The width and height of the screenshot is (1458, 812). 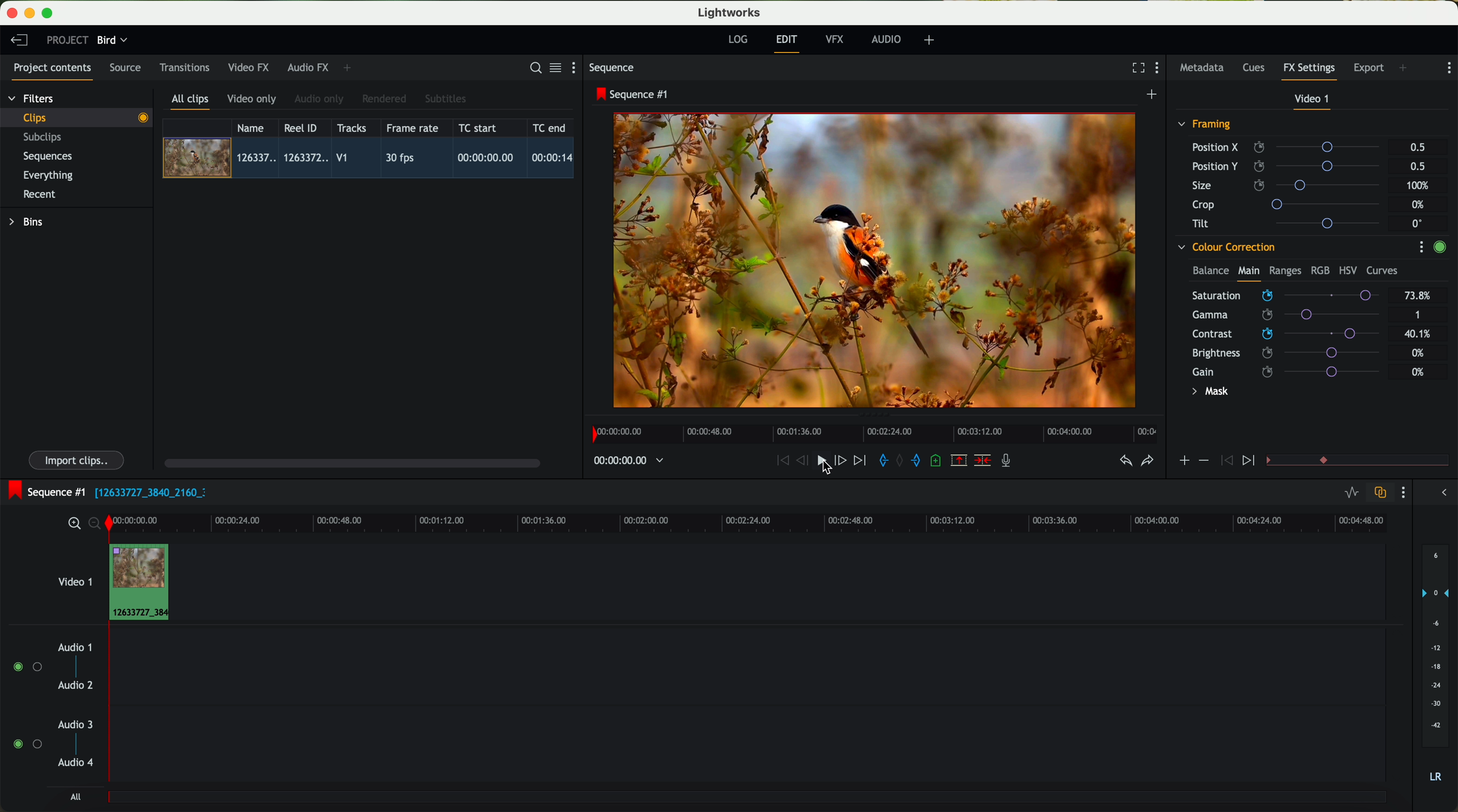 What do you see at coordinates (1420, 205) in the screenshot?
I see `0%` at bounding box center [1420, 205].